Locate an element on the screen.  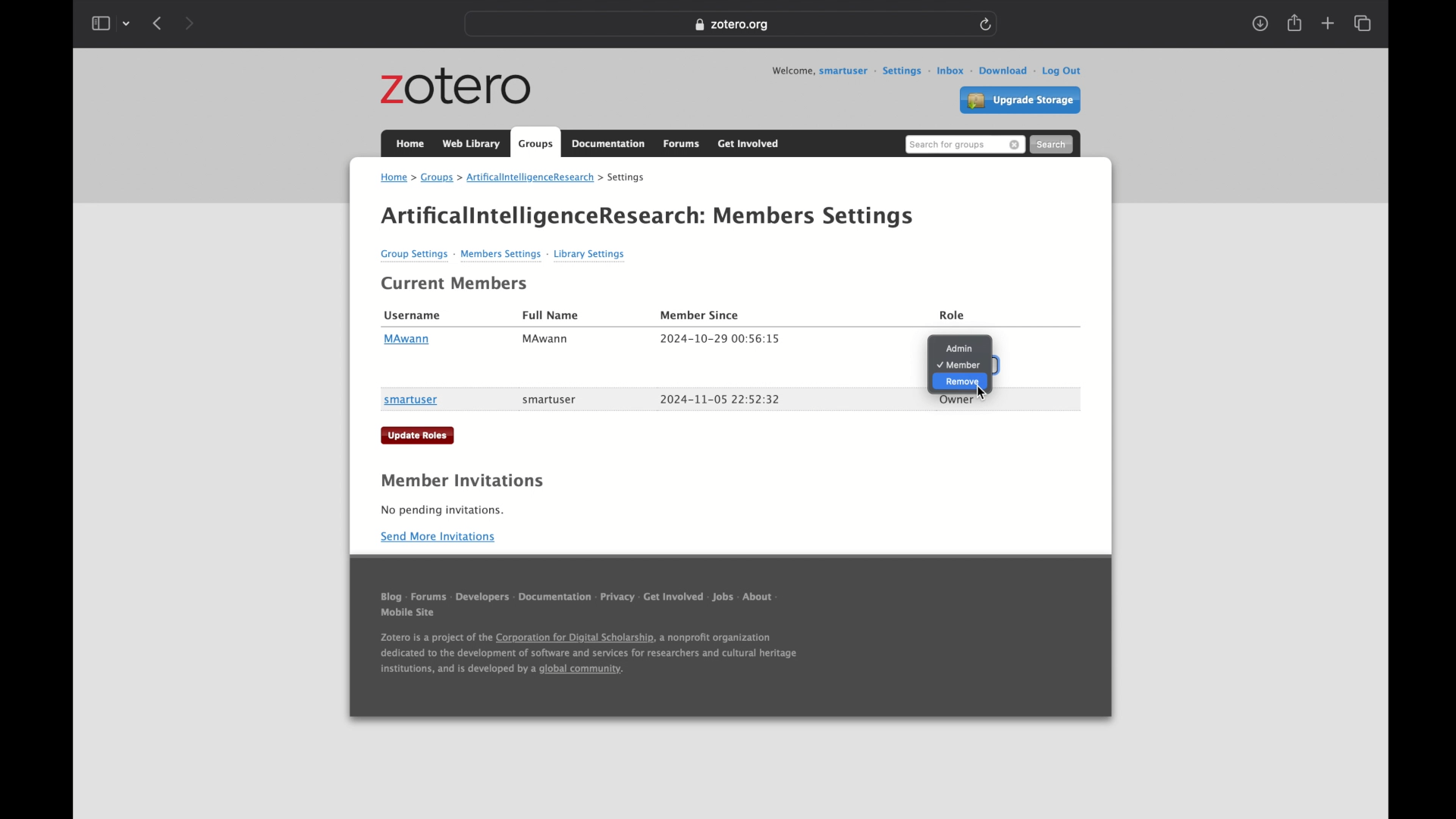
web address is located at coordinates (730, 25).